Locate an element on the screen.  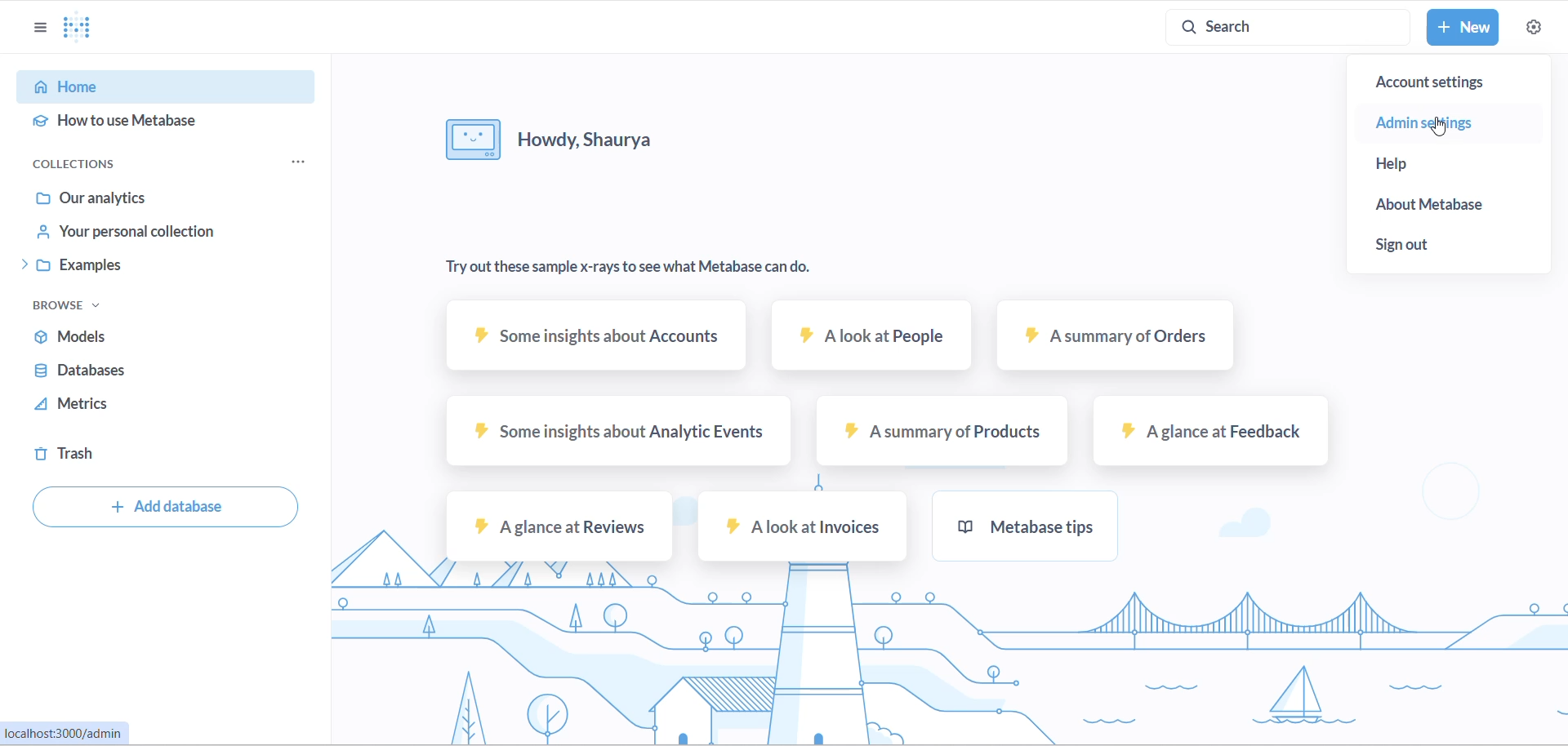
admin settings is located at coordinates (1462, 122).